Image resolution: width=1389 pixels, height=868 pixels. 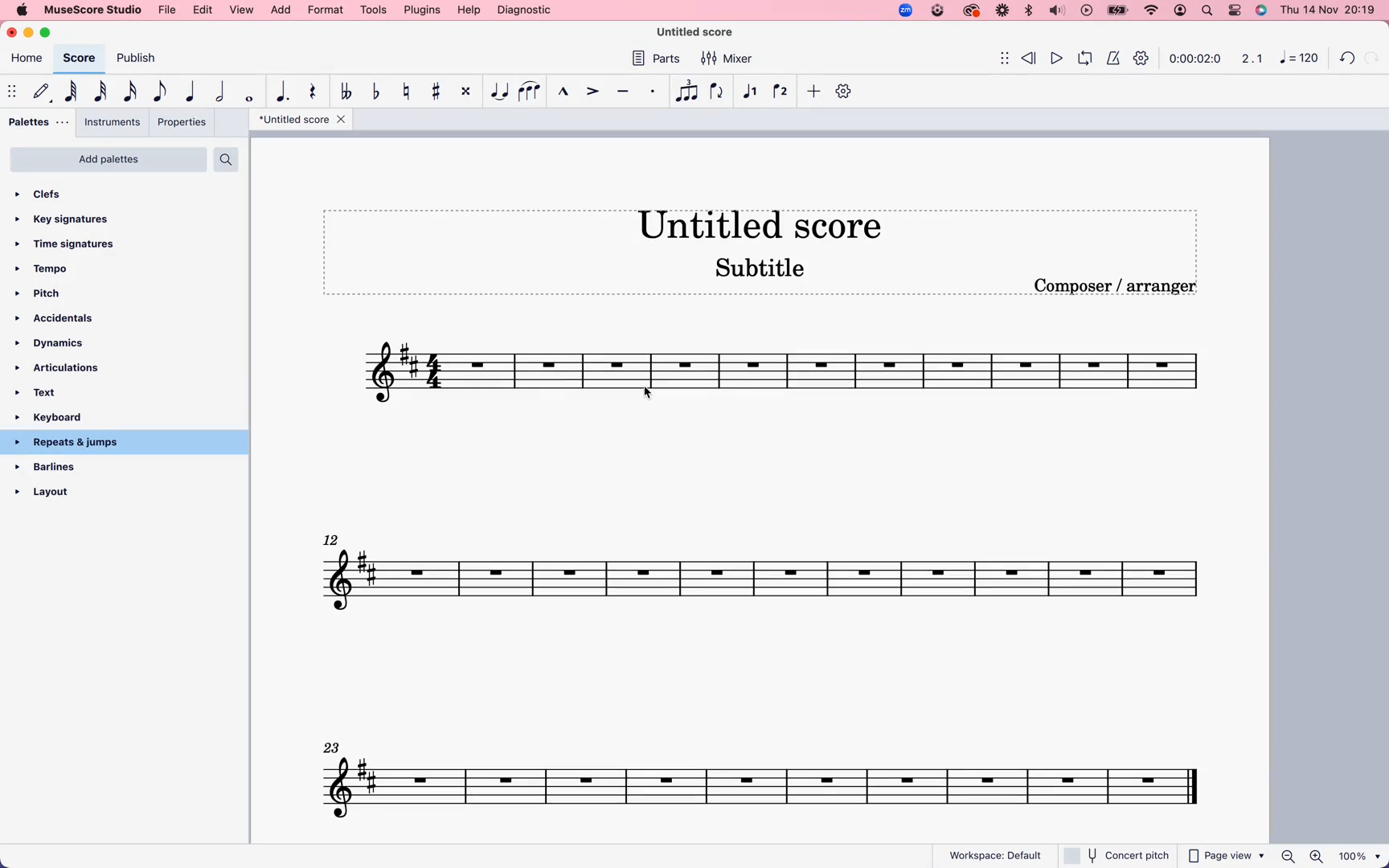 What do you see at coordinates (1086, 11) in the screenshot?
I see `play` at bounding box center [1086, 11].